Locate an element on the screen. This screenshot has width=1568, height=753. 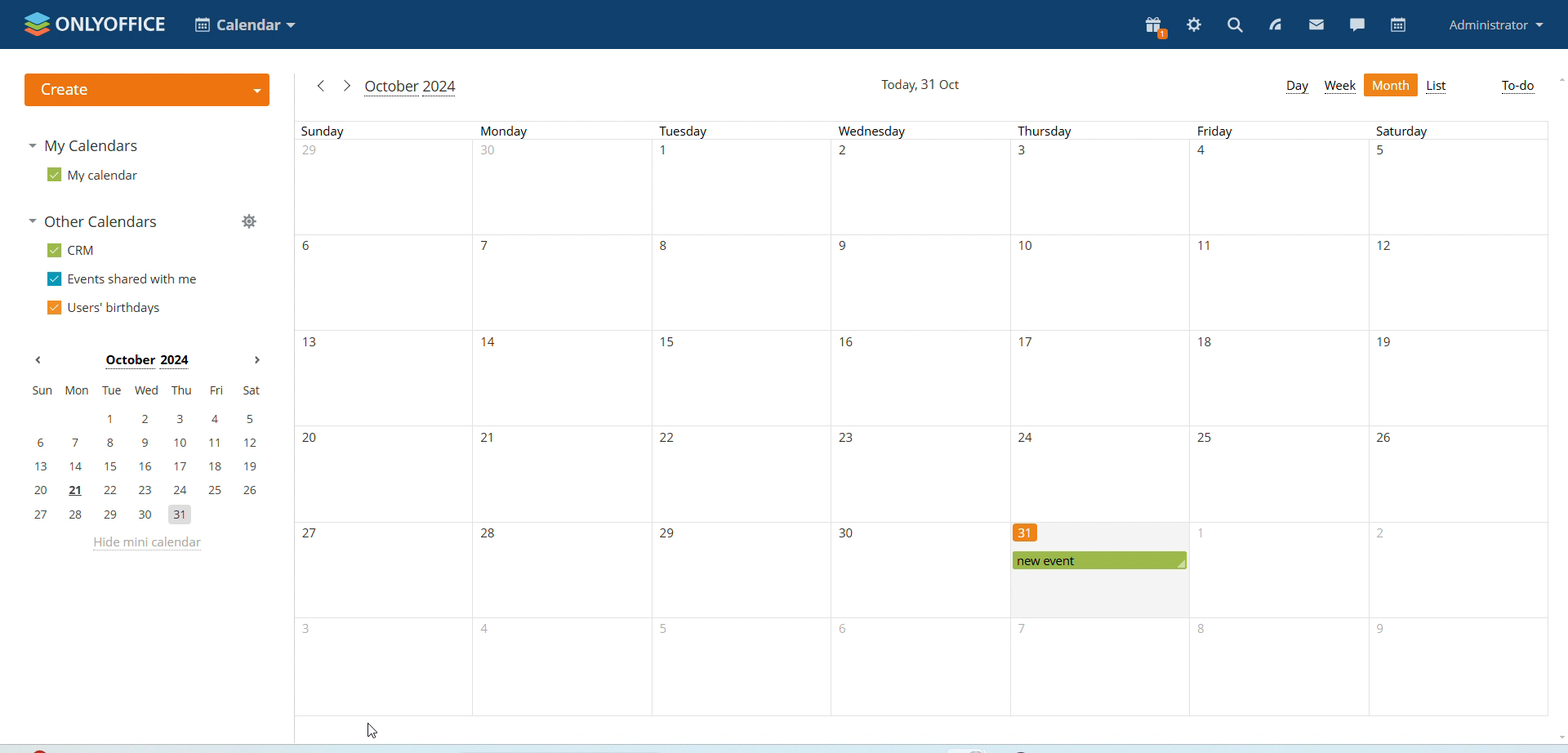
scroll down is located at coordinates (1565, 737).